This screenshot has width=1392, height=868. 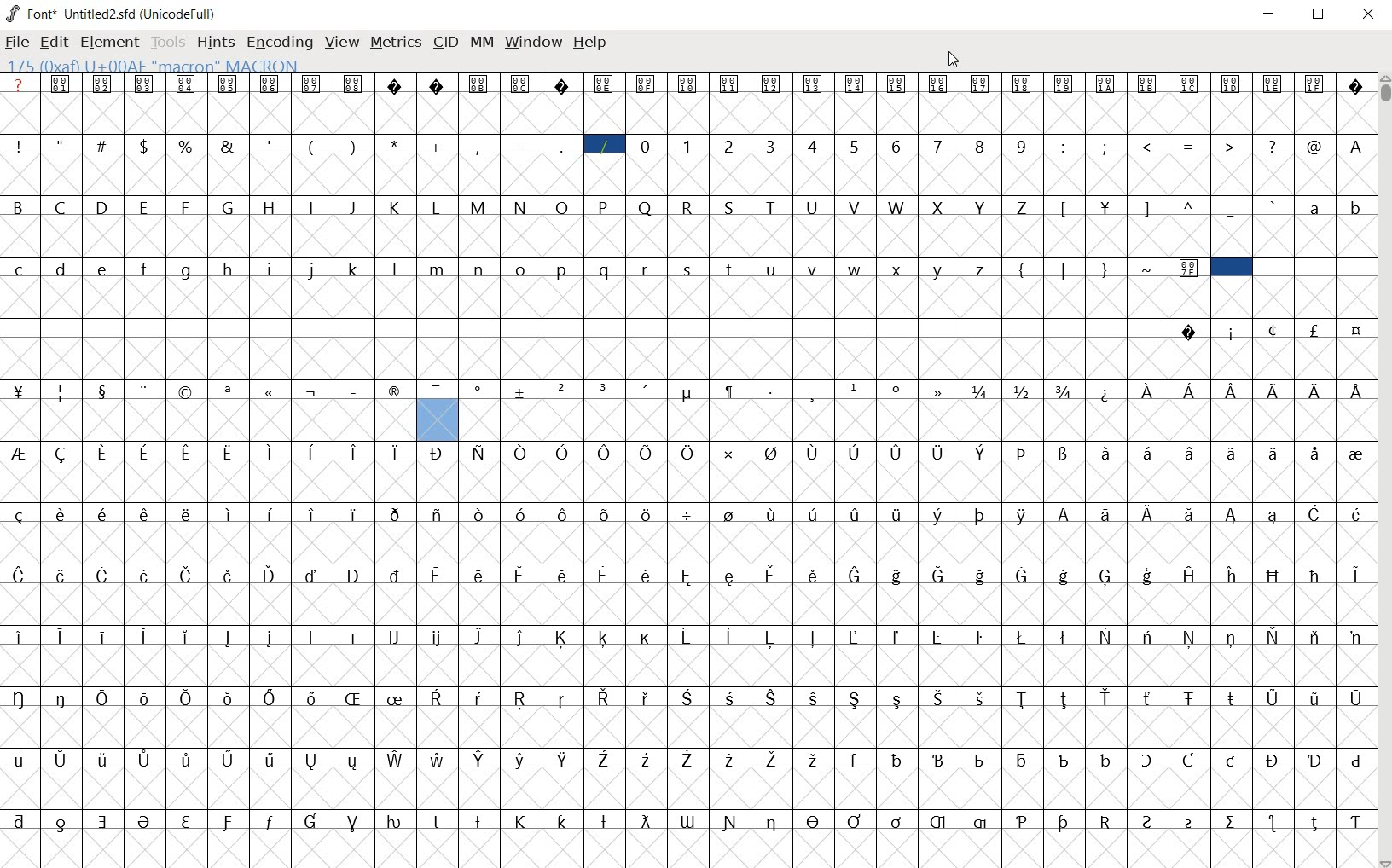 I want to click on <, so click(x=1149, y=146).